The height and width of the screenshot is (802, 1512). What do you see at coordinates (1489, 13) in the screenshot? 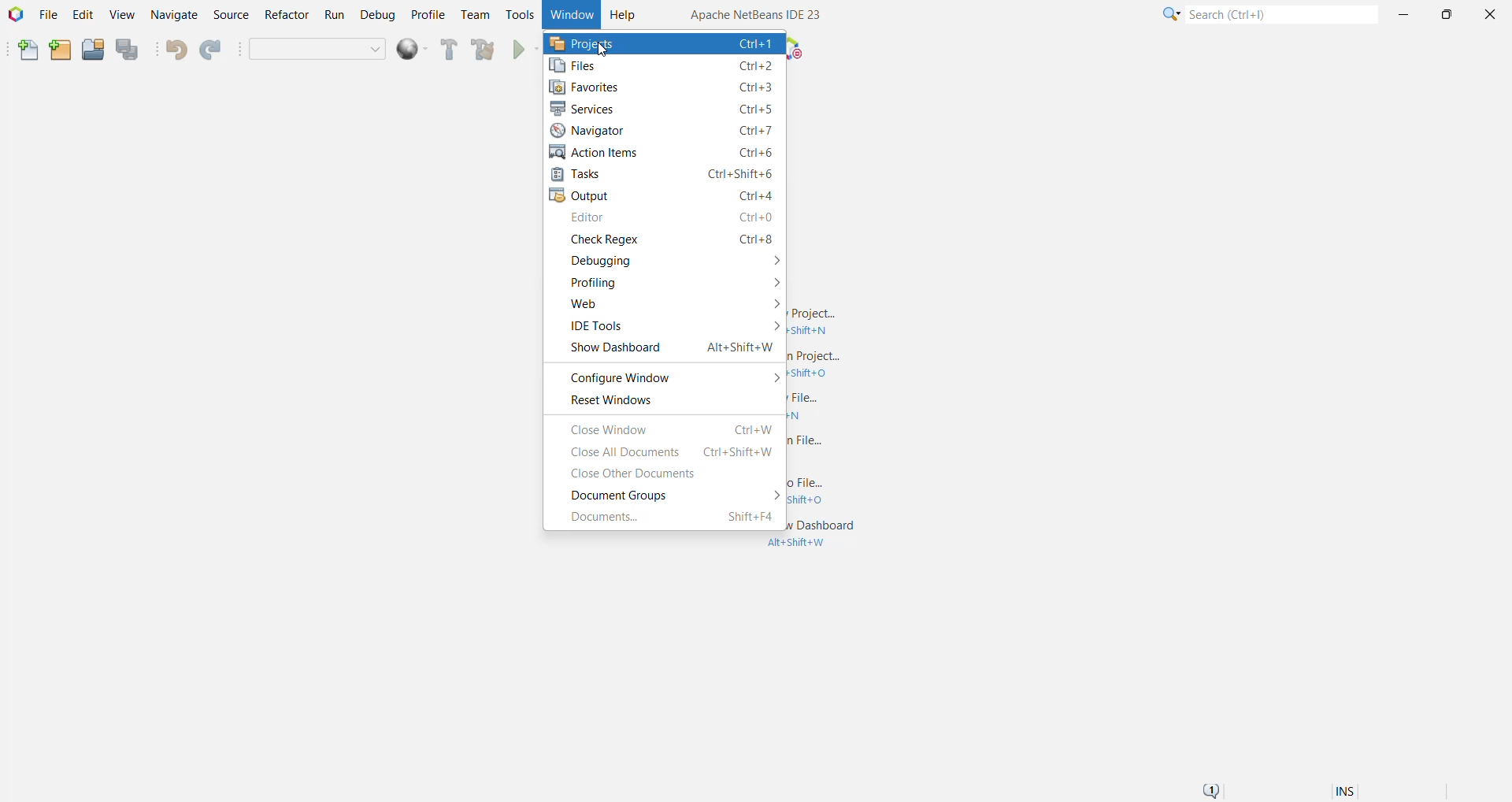
I see `Close` at bounding box center [1489, 13].